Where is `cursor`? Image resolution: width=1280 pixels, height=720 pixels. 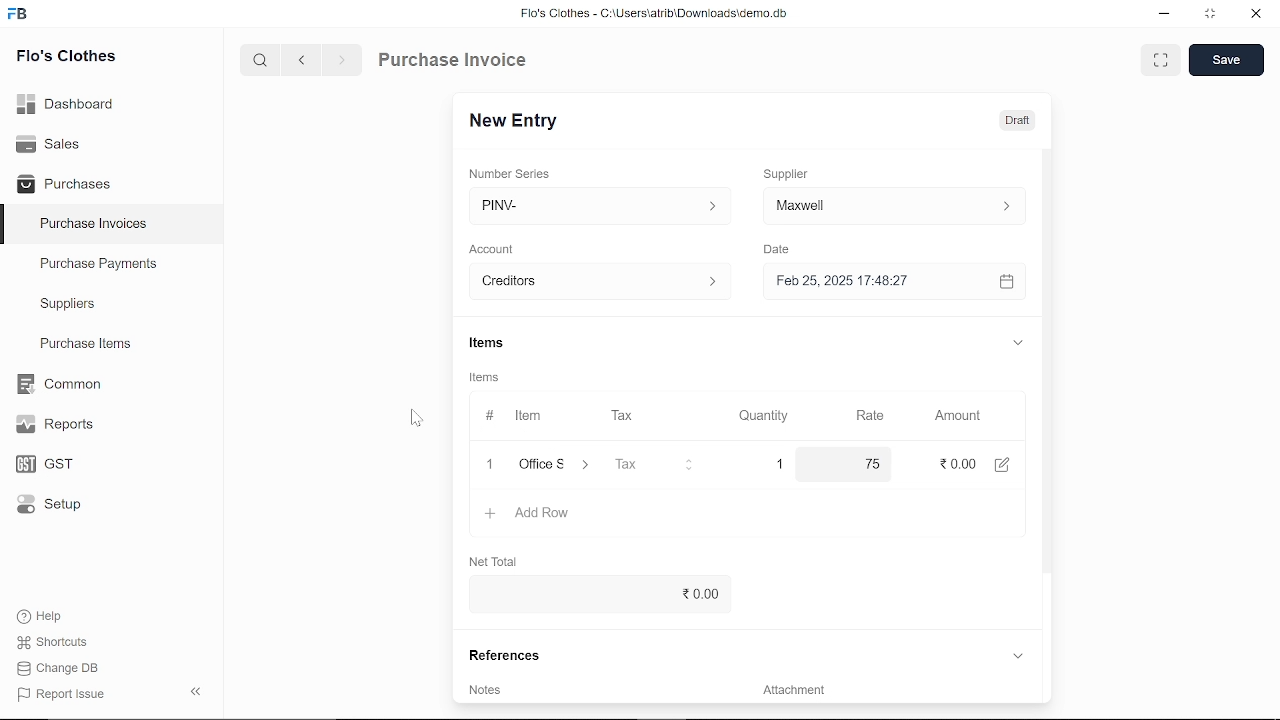 cursor is located at coordinates (416, 419).